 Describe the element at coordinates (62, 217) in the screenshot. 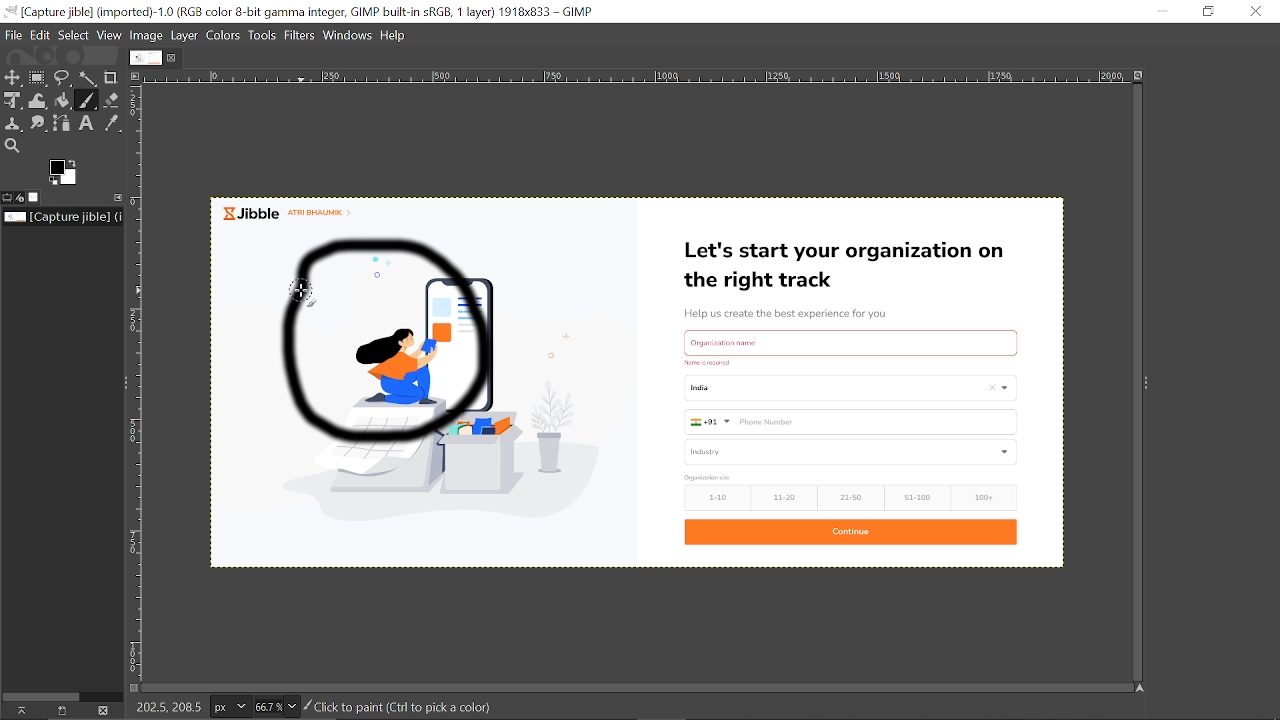

I see `Location of the current file` at that location.